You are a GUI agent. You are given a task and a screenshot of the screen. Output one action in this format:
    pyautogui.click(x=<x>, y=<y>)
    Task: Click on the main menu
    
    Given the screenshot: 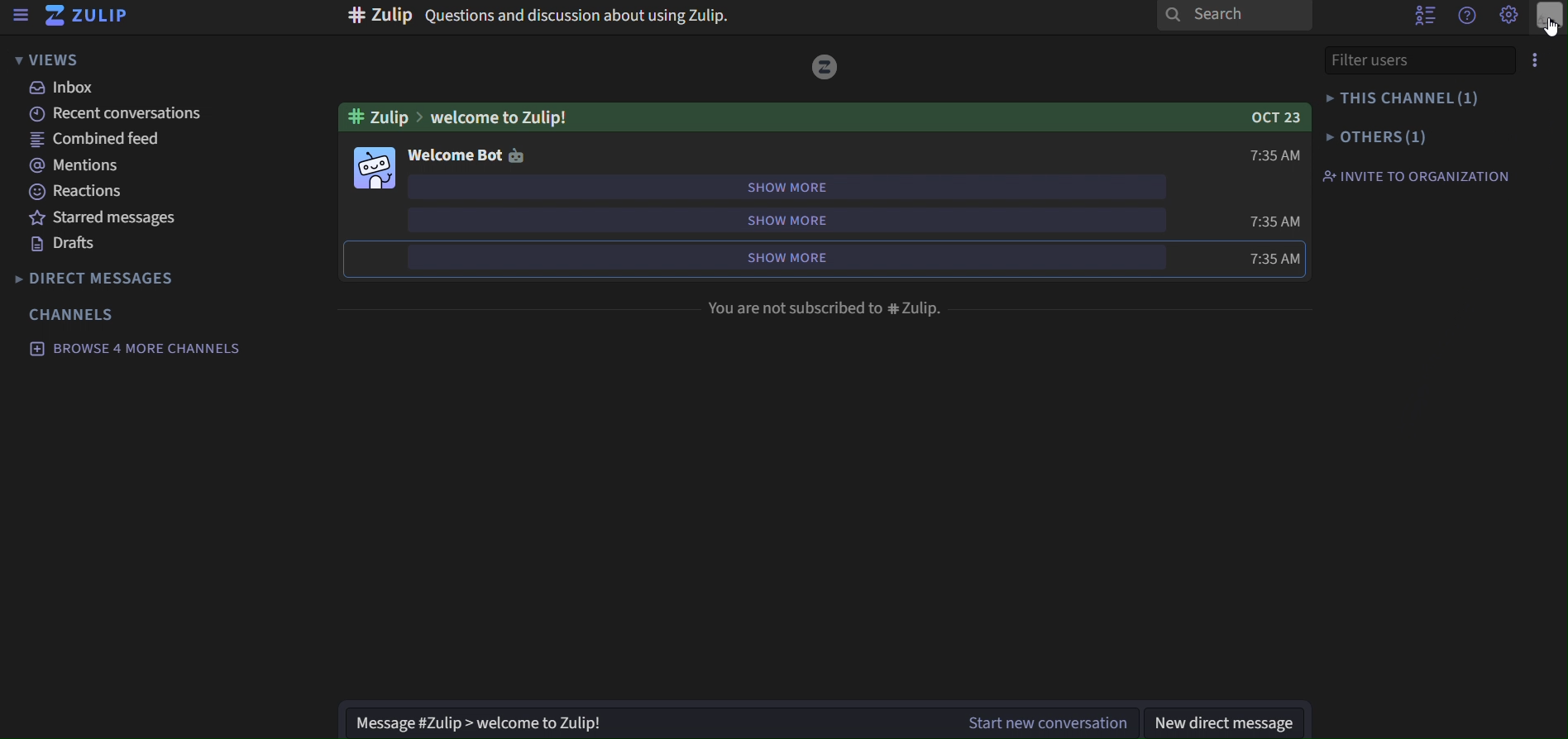 What is the action you would take?
    pyautogui.click(x=1549, y=17)
    